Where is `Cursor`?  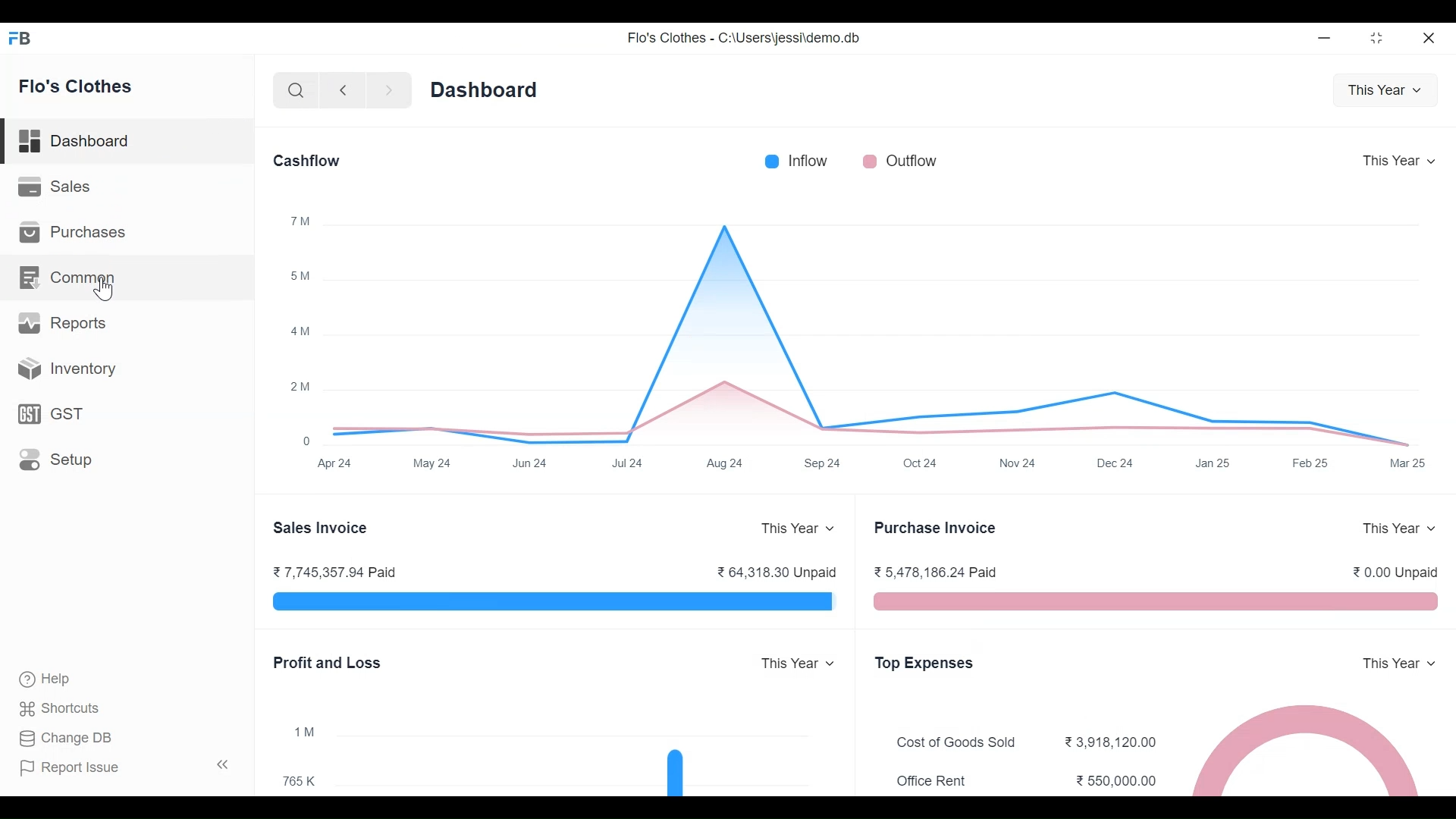 Cursor is located at coordinates (108, 289).